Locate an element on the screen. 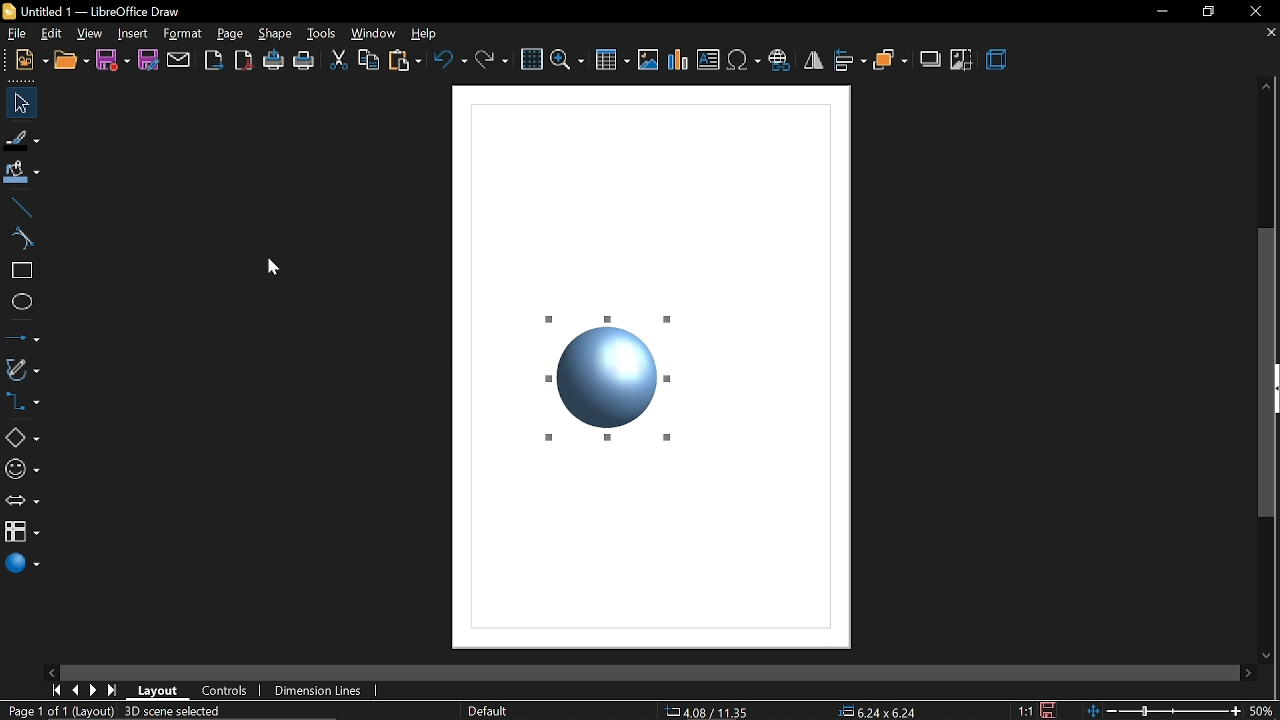 This screenshot has width=1280, height=720. undo is located at coordinates (450, 59).